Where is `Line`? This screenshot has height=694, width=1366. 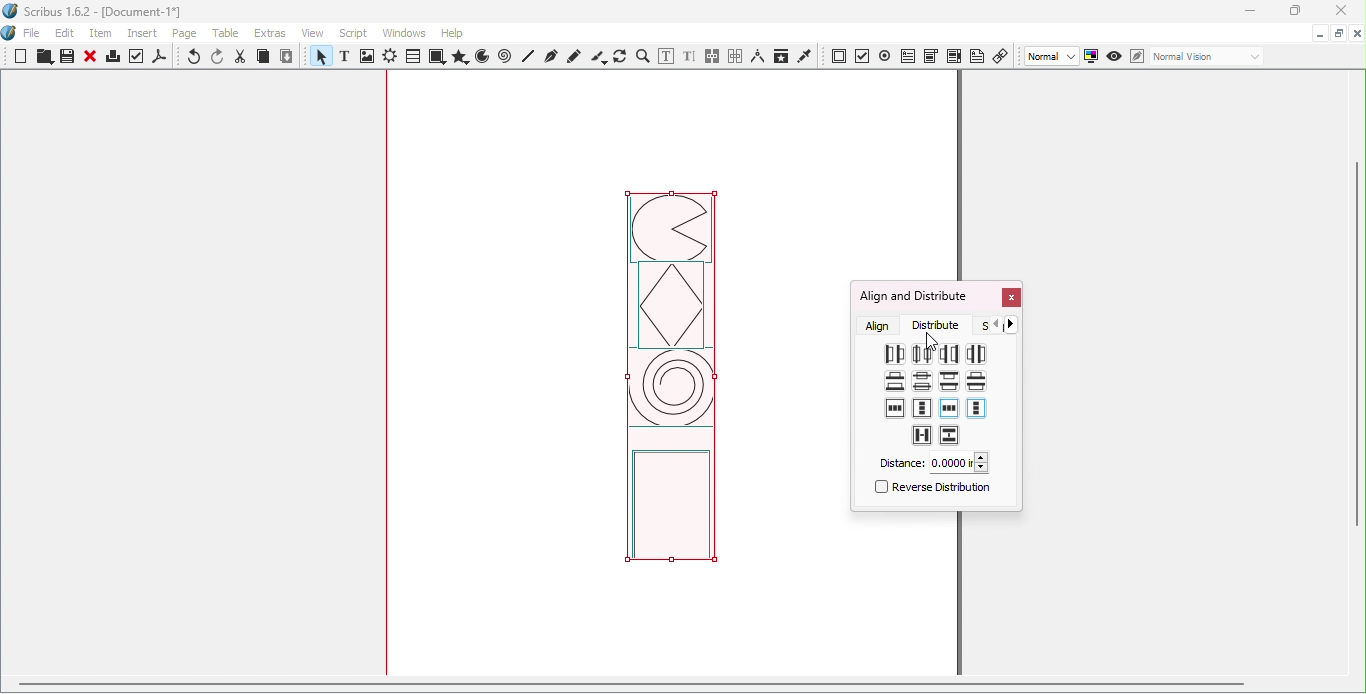
Line is located at coordinates (529, 56).